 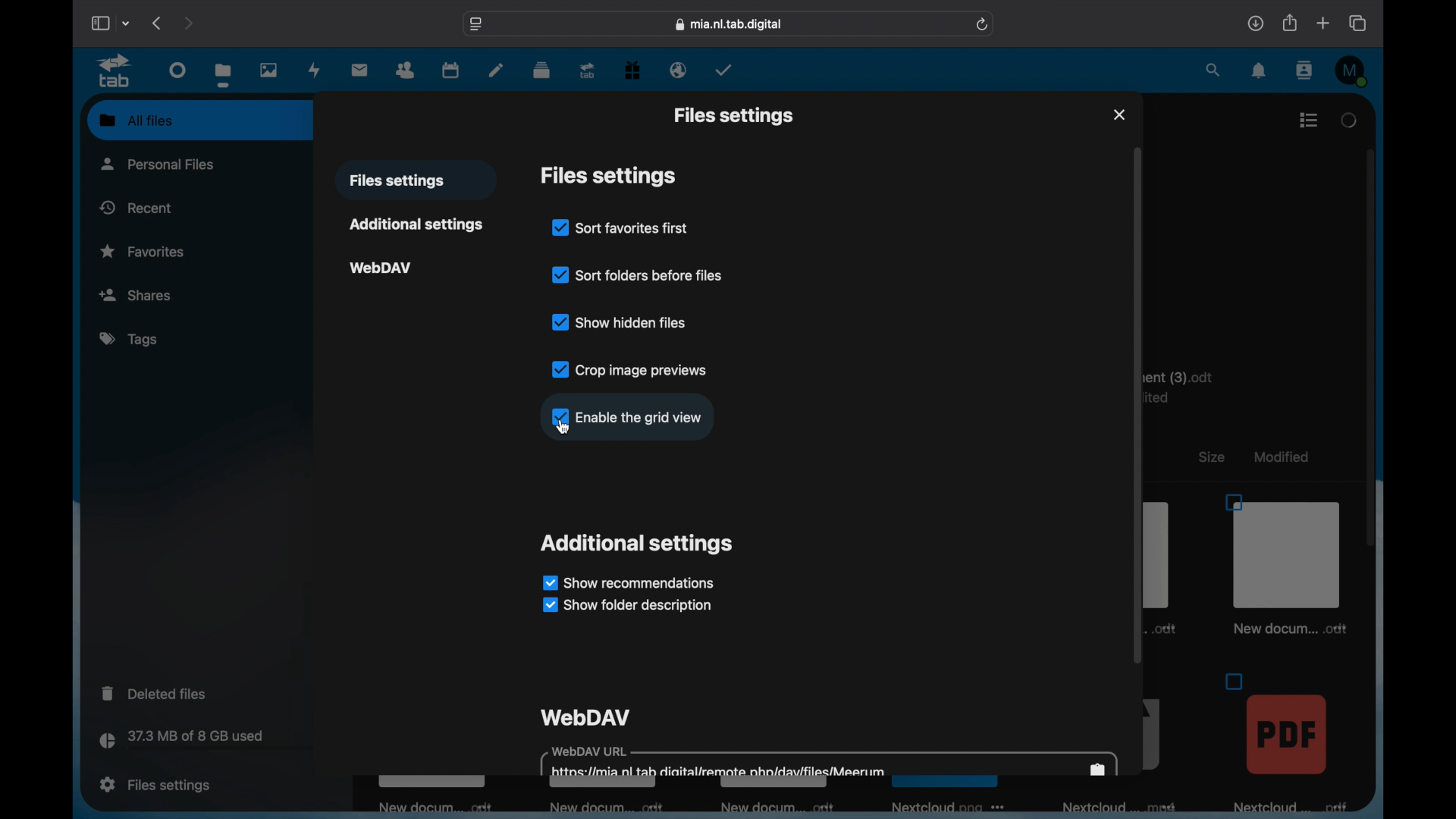 What do you see at coordinates (1306, 70) in the screenshot?
I see `contacts` at bounding box center [1306, 70].